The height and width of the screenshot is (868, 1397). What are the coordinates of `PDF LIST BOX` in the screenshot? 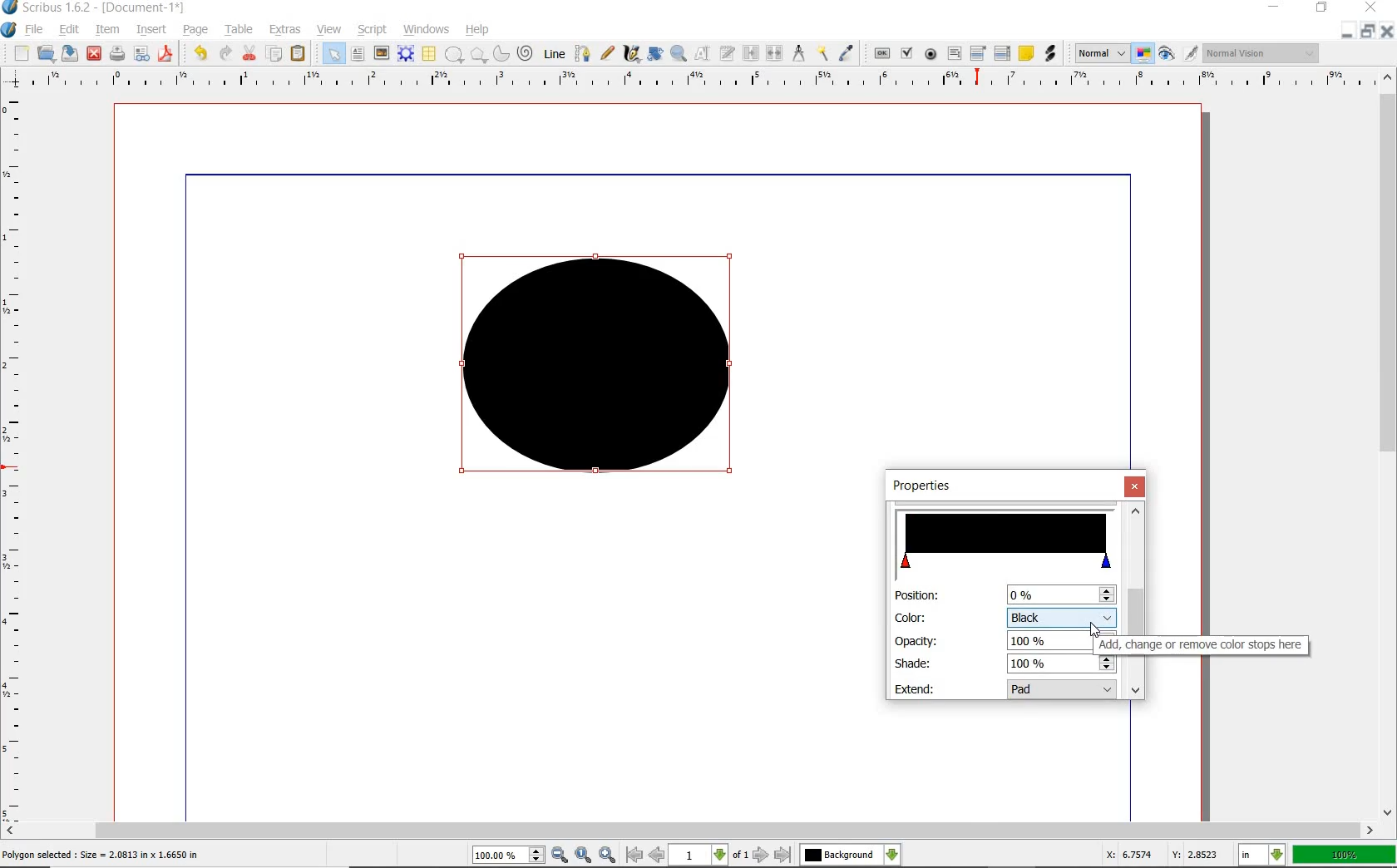 It's located at (1004, 53).